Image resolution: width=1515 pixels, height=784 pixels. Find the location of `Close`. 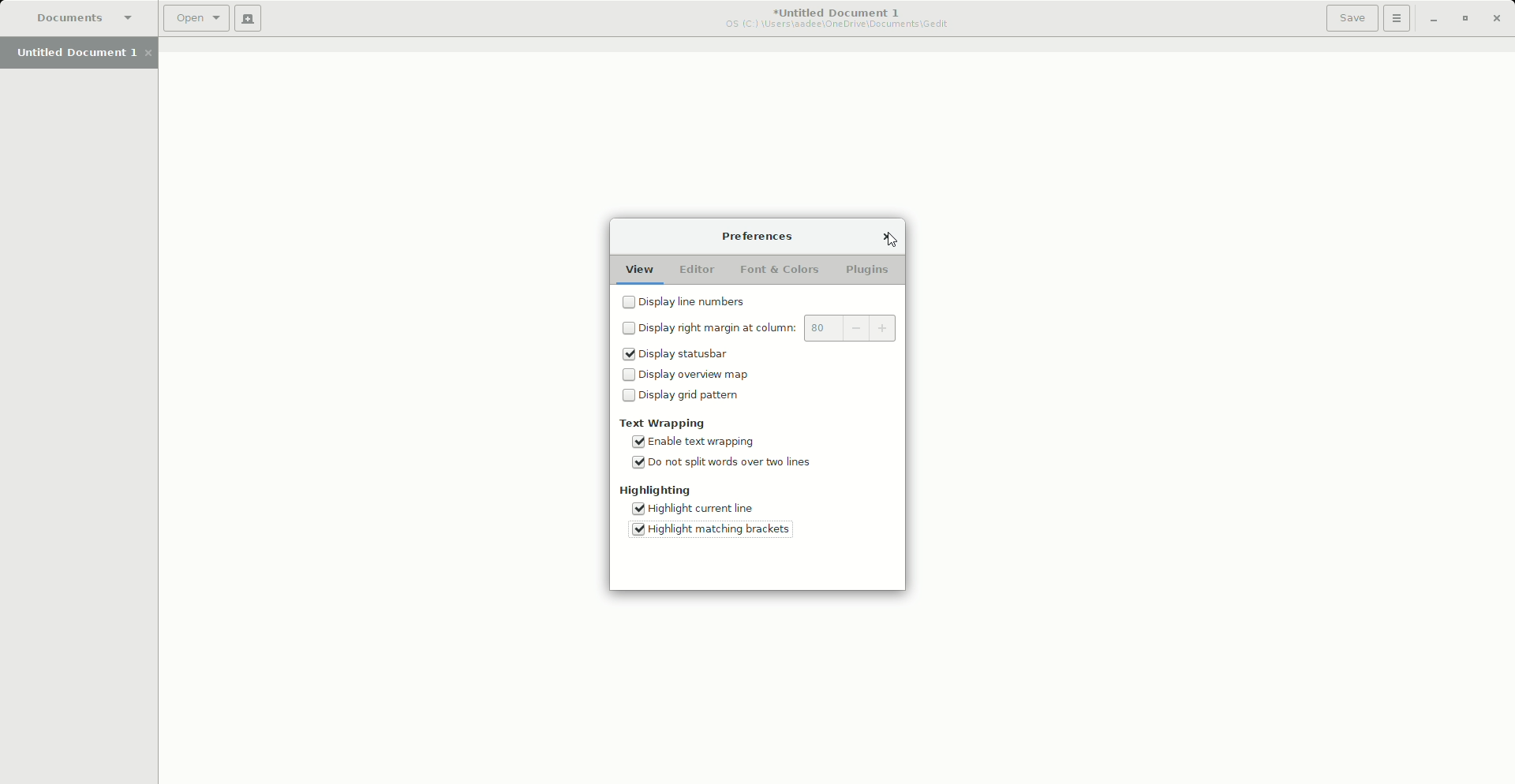

Close is located at coordinates (1499, 17).